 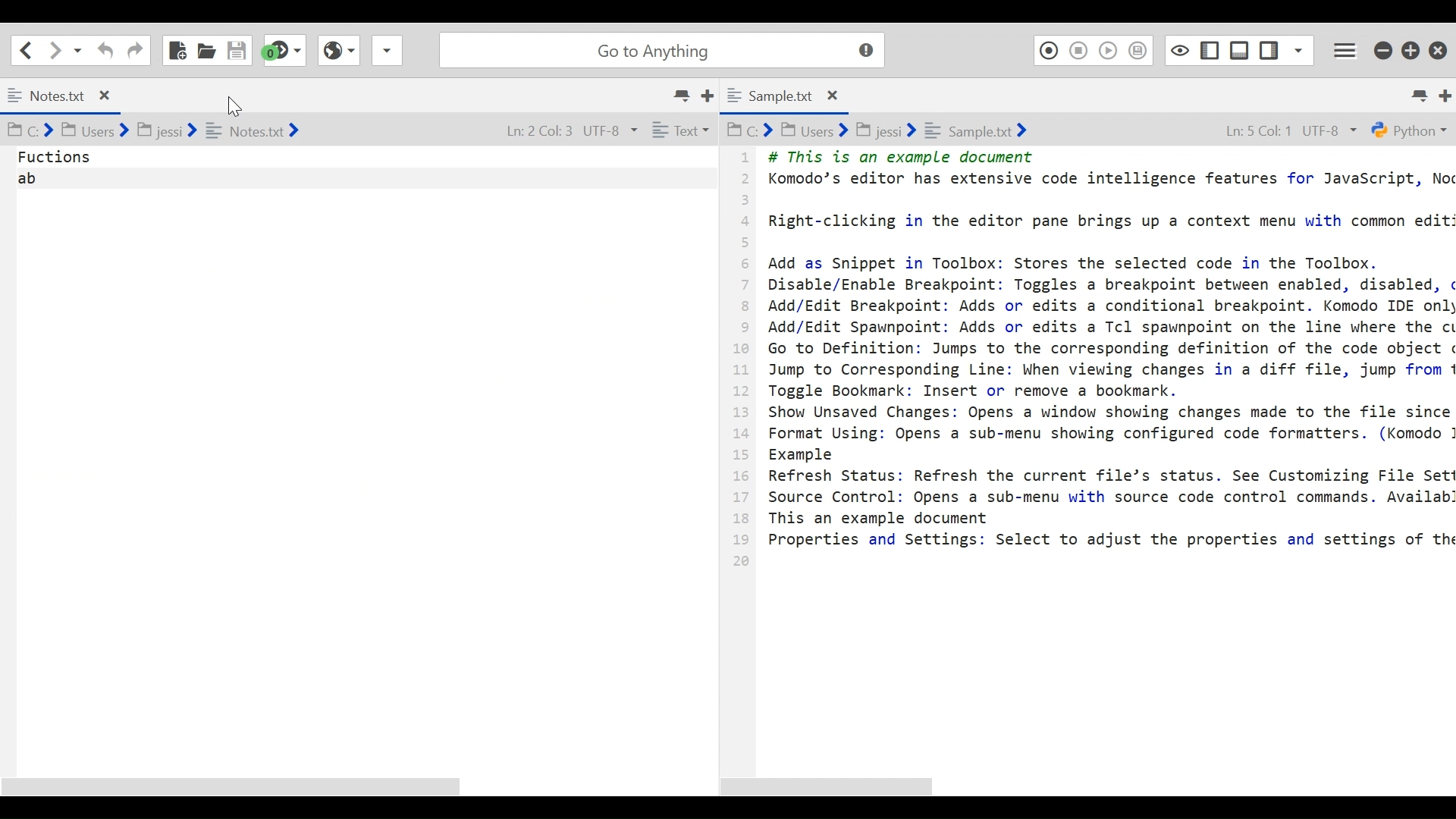 I want to click on List all tabs, so click(x=680, y=97).